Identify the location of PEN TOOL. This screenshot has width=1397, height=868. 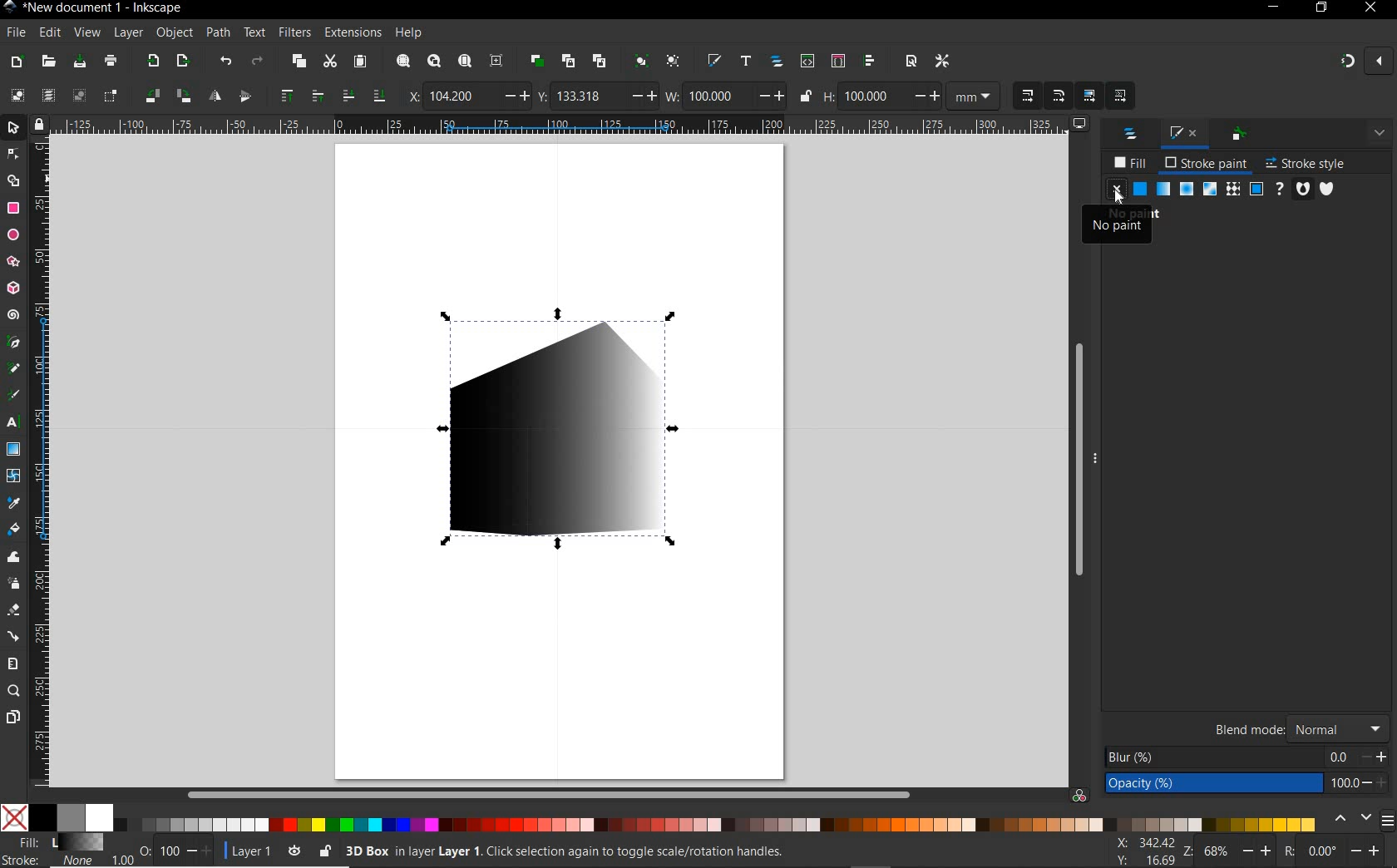
(15, 343).